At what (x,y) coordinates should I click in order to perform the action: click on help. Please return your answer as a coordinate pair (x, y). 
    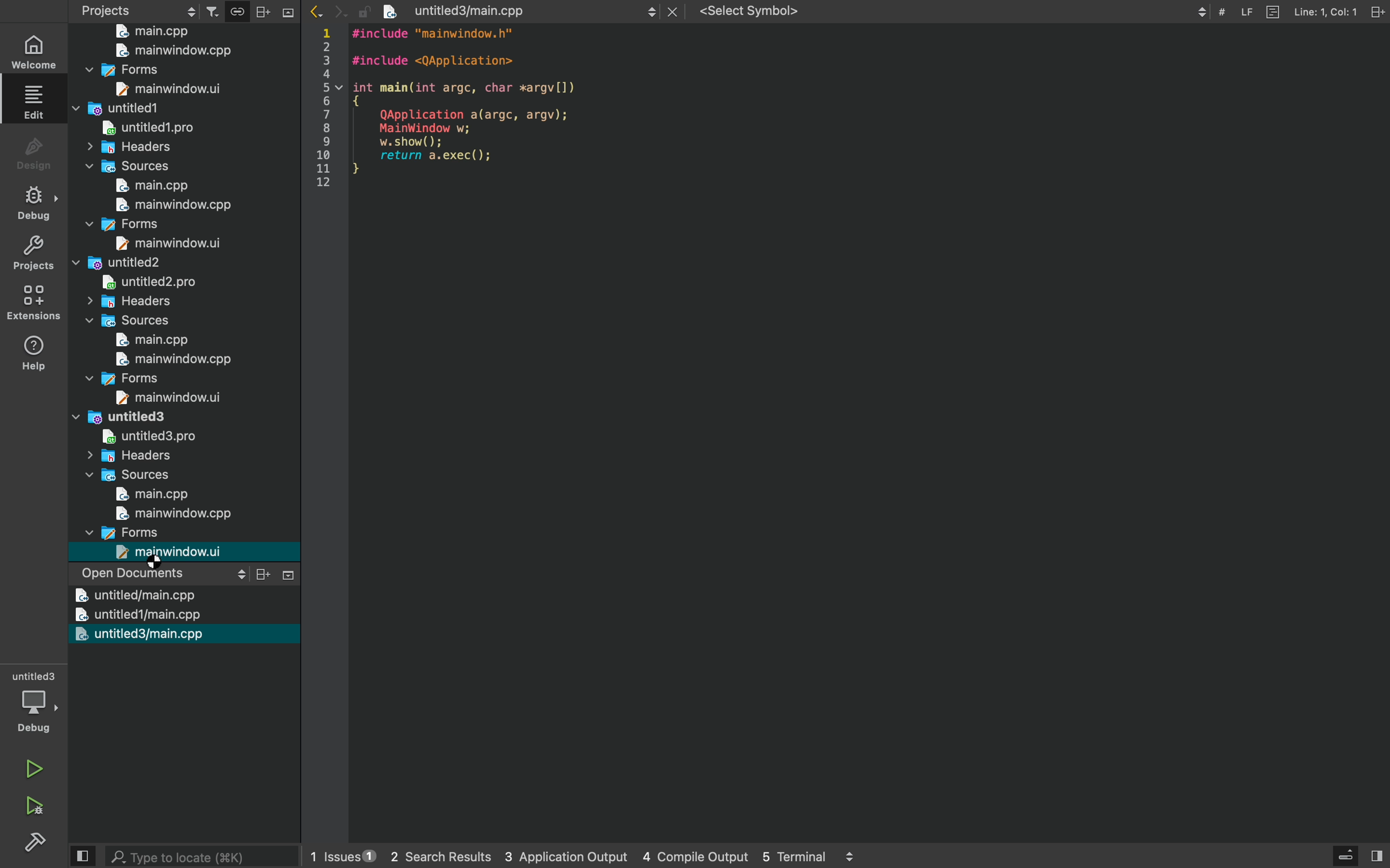
    Looking at the image, I should click on (34, 352).